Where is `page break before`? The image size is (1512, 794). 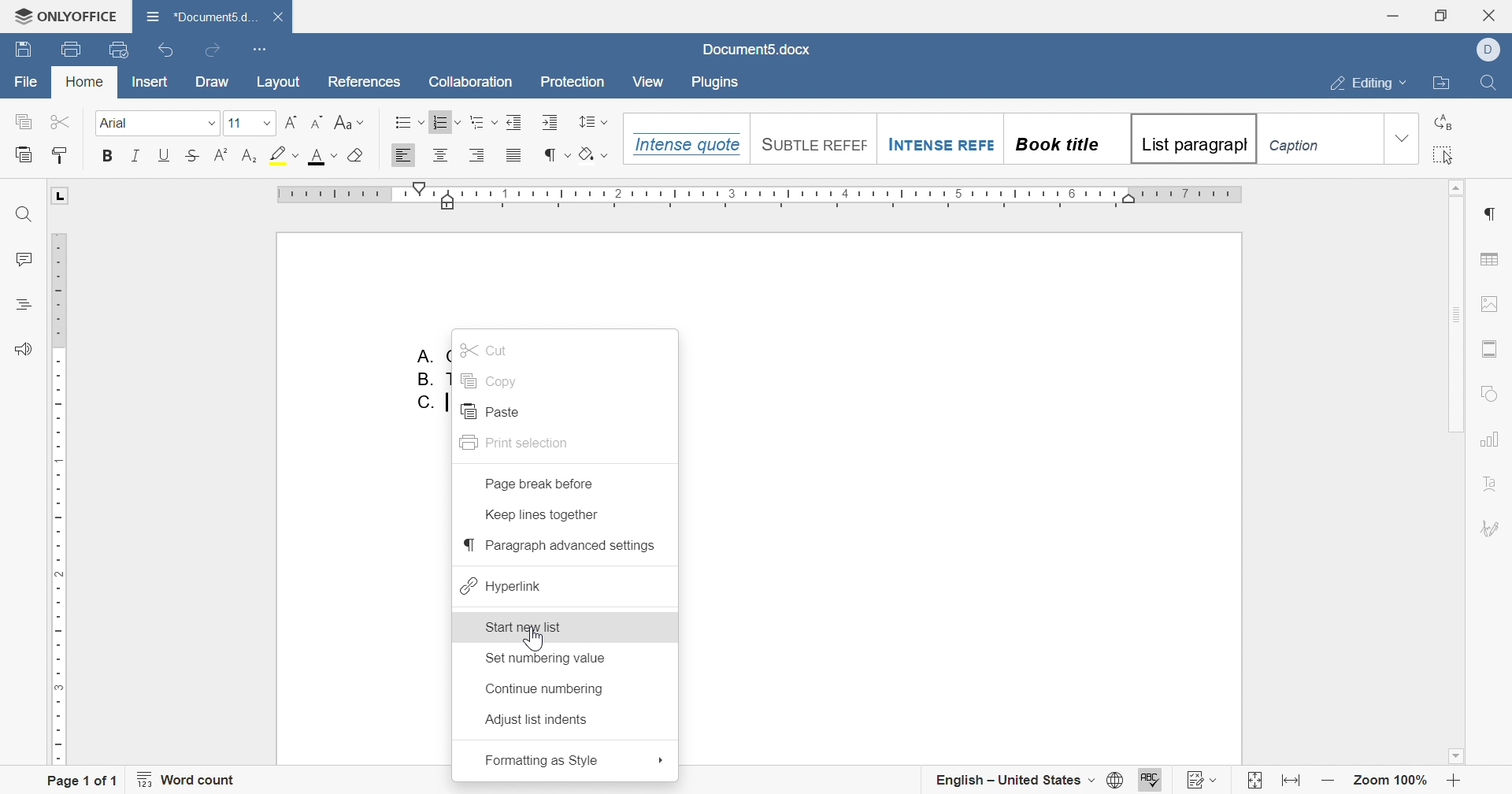
page break before is located at coordinates (539, 484).